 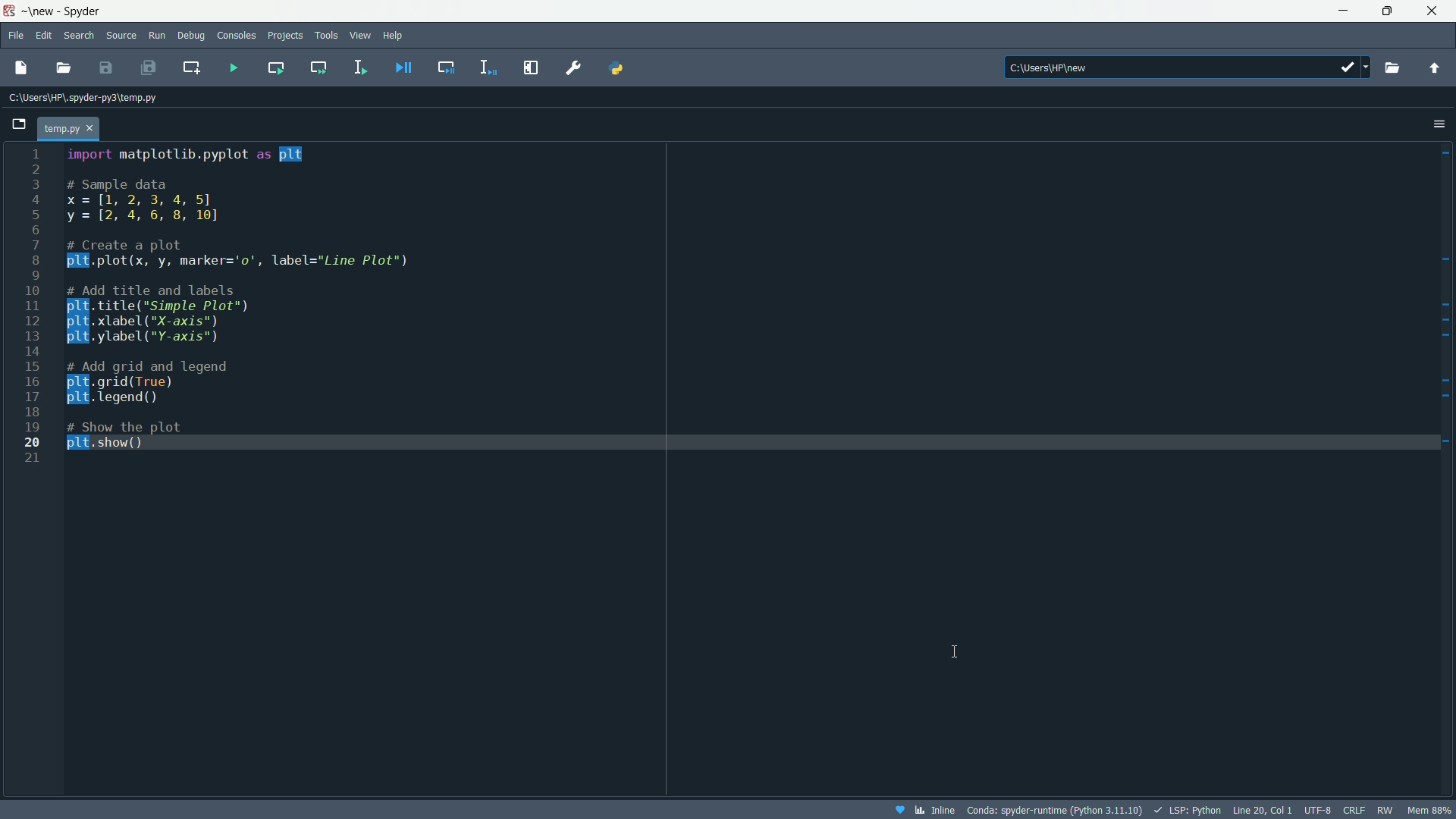 What do you see at coordinates (923, 810) in the screenshot?
I see `inline` at bounding box center [923, 810].